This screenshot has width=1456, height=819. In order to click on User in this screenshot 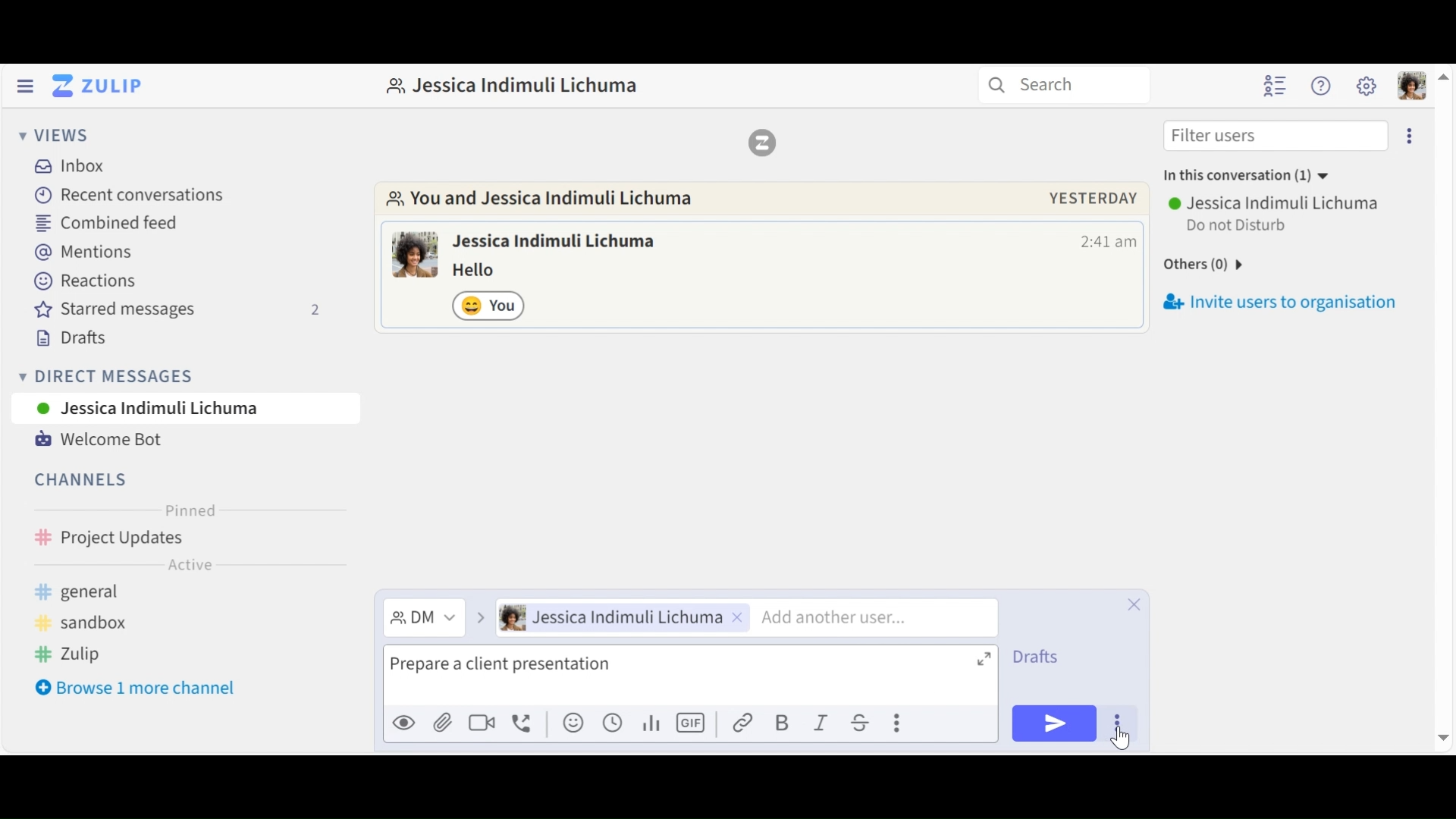, I will do `click(185, 408)`.